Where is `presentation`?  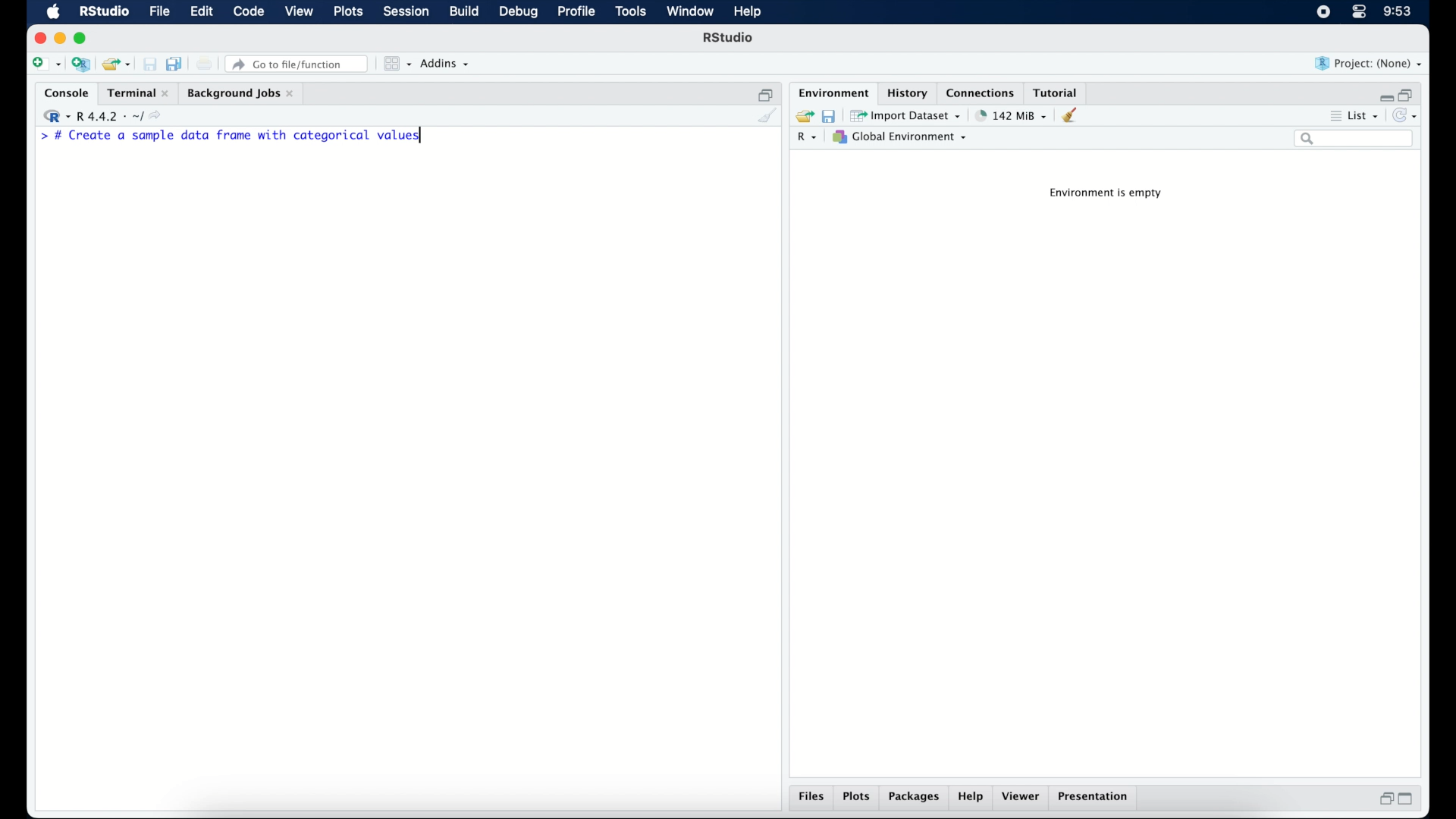 presentation is located at coordinates (1097, 798).